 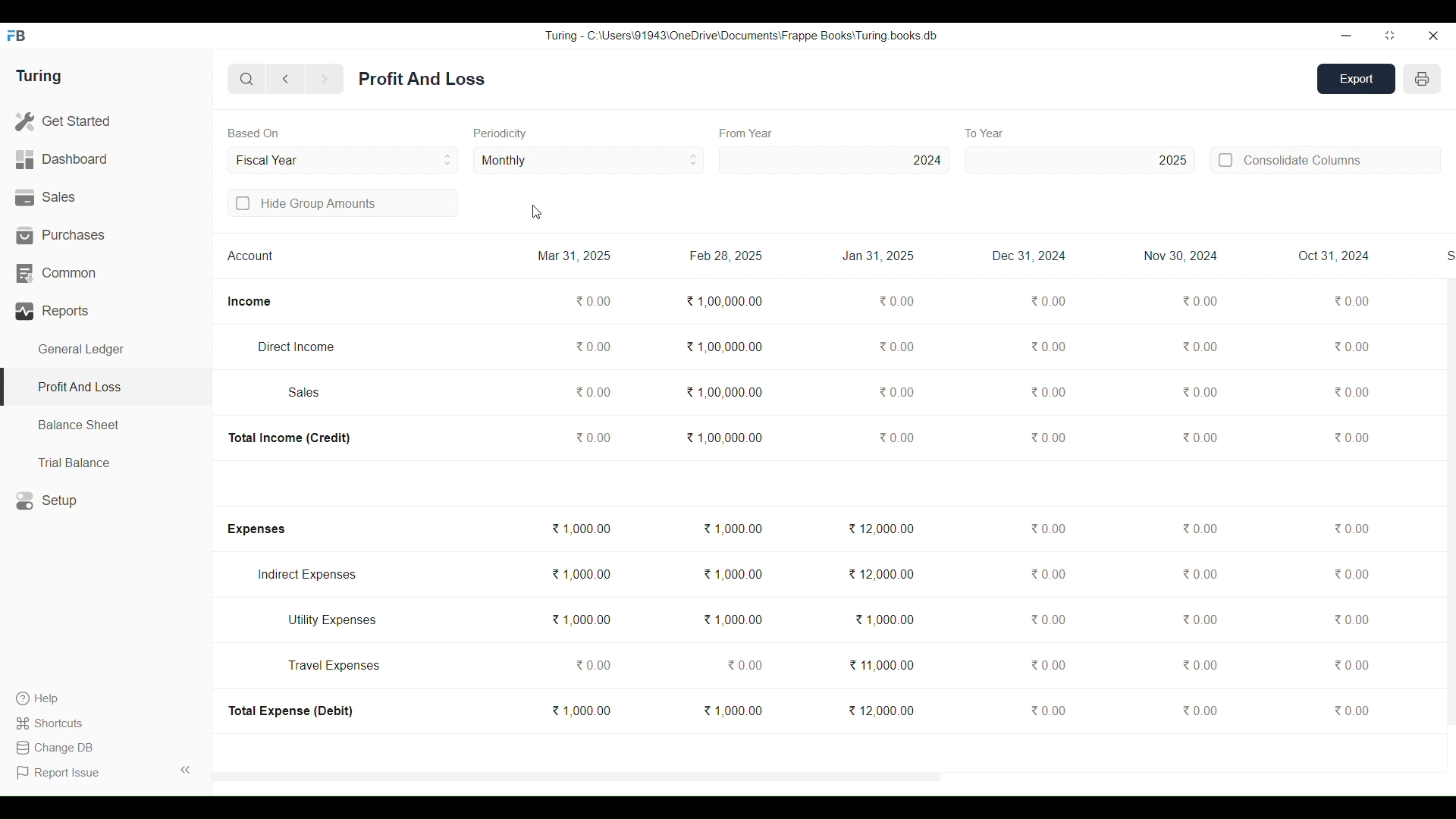 I want to click on 1,00,000.00, so click(x=724, y=301).